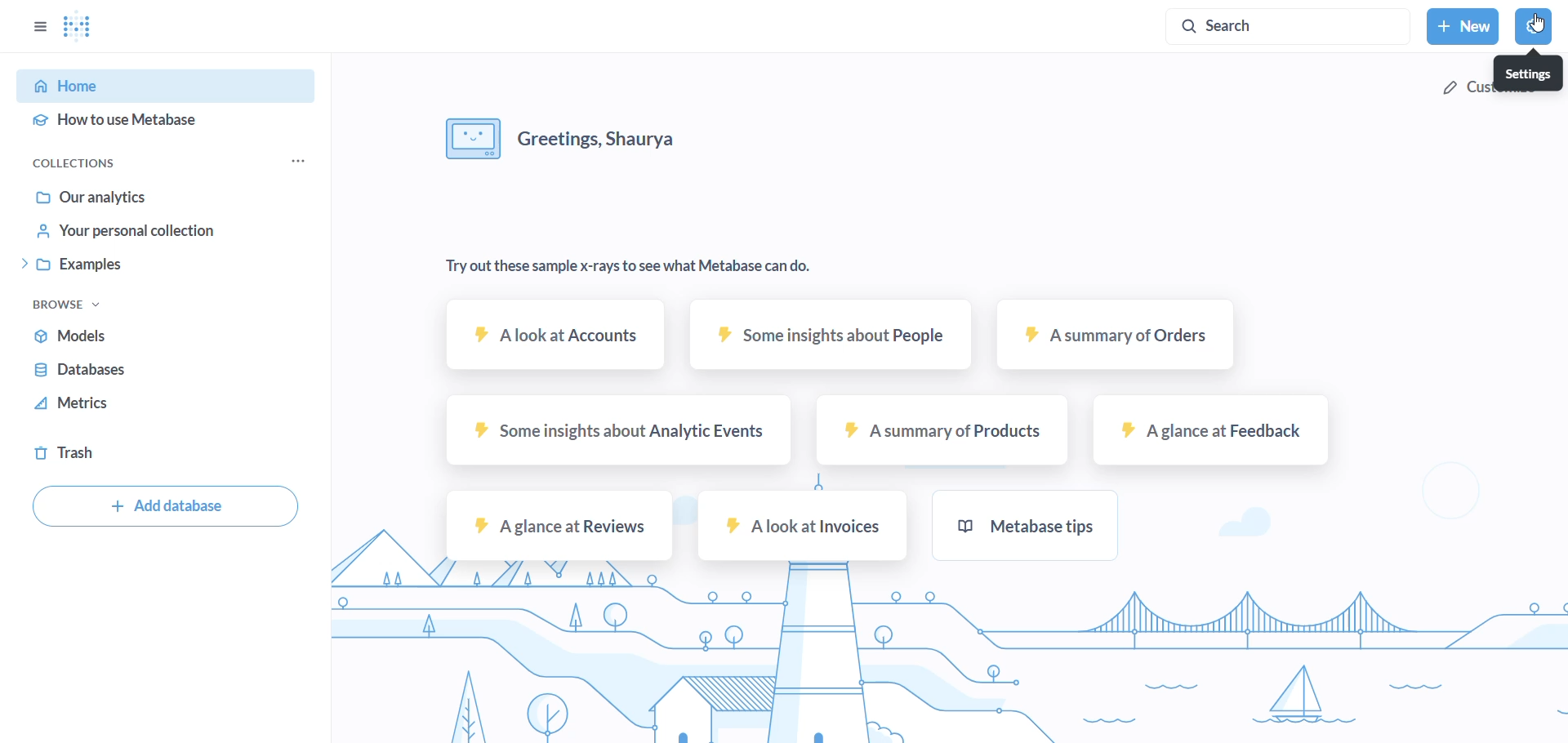 This screenshot has height=743, width=1568. Describe the element at coordinates (472, 139) in the screenshot. I see `icon` at that location.